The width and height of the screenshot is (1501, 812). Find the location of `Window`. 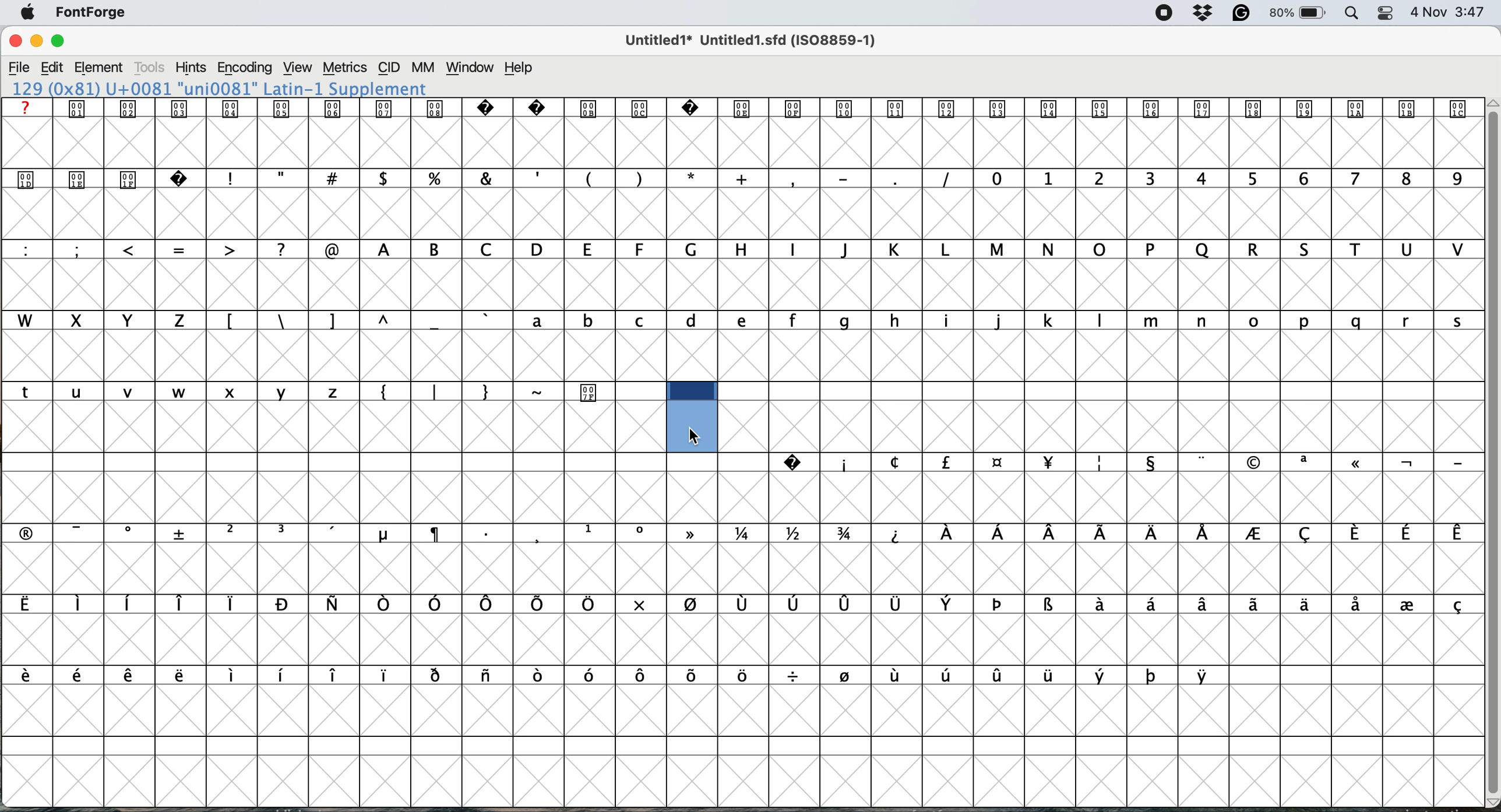

Window is located at coordinates (470, 69).